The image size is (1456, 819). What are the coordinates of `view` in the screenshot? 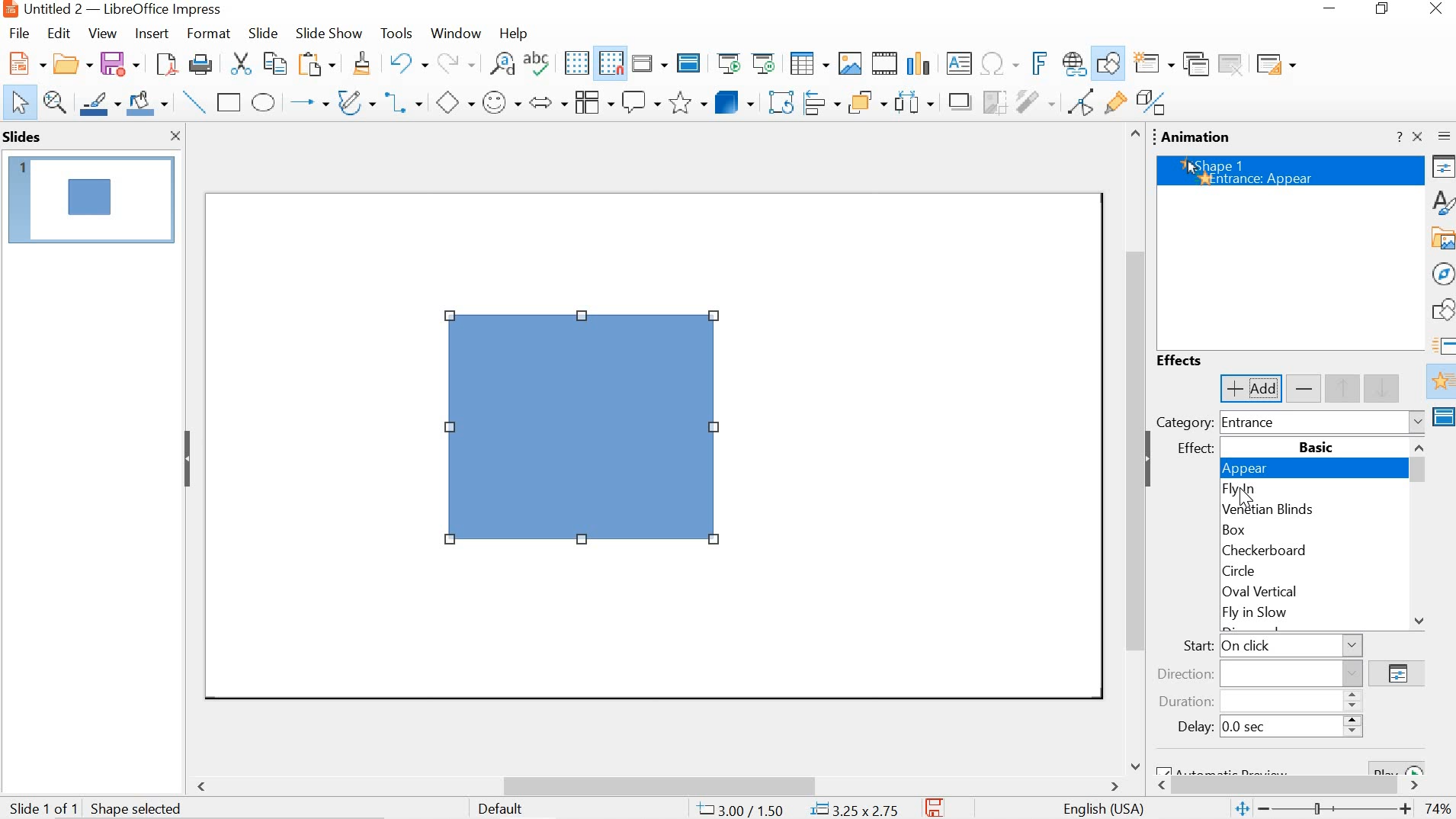 It's located at (100, 34).